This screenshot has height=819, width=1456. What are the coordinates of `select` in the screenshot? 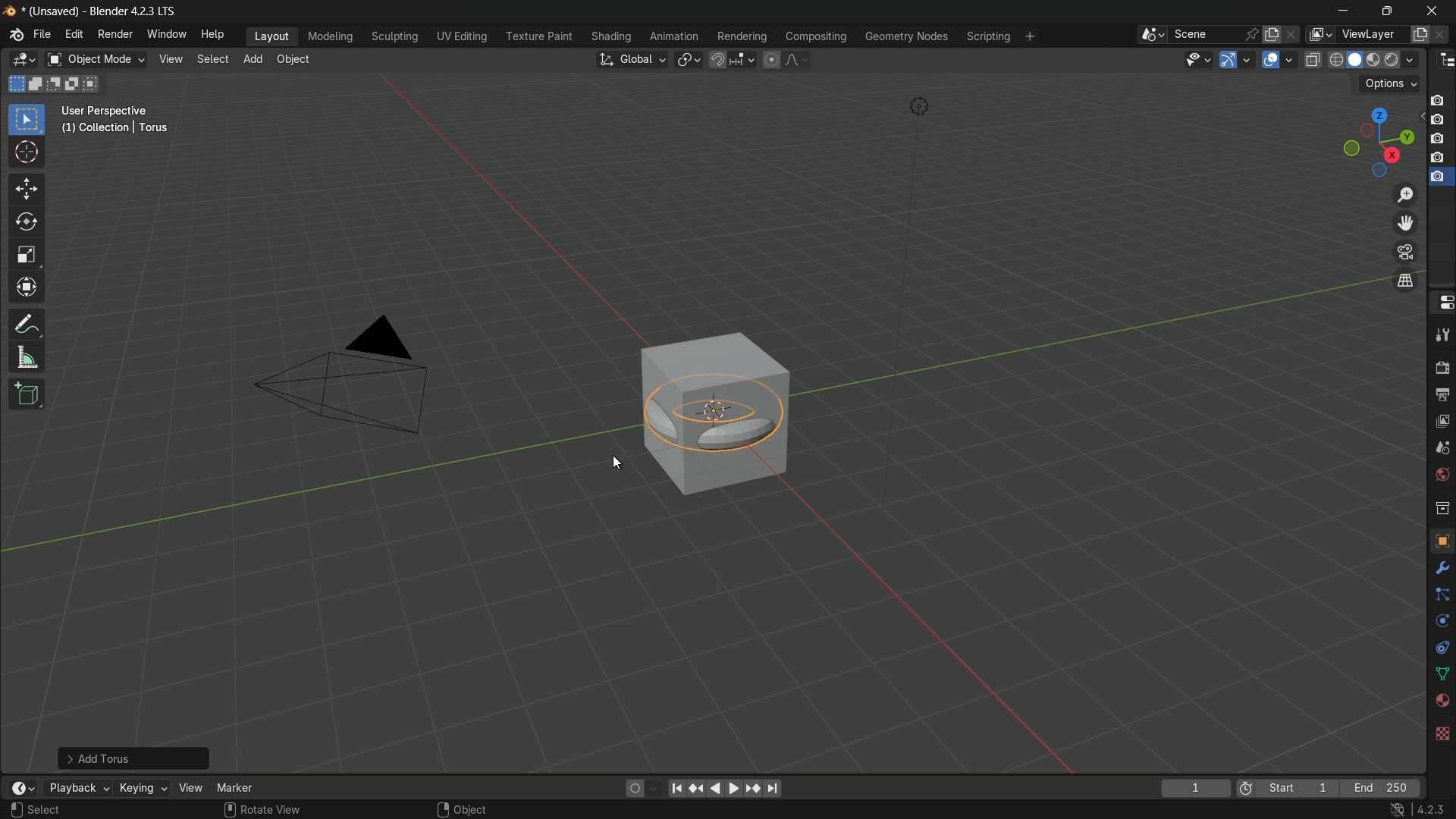 It's located at (47, 810).